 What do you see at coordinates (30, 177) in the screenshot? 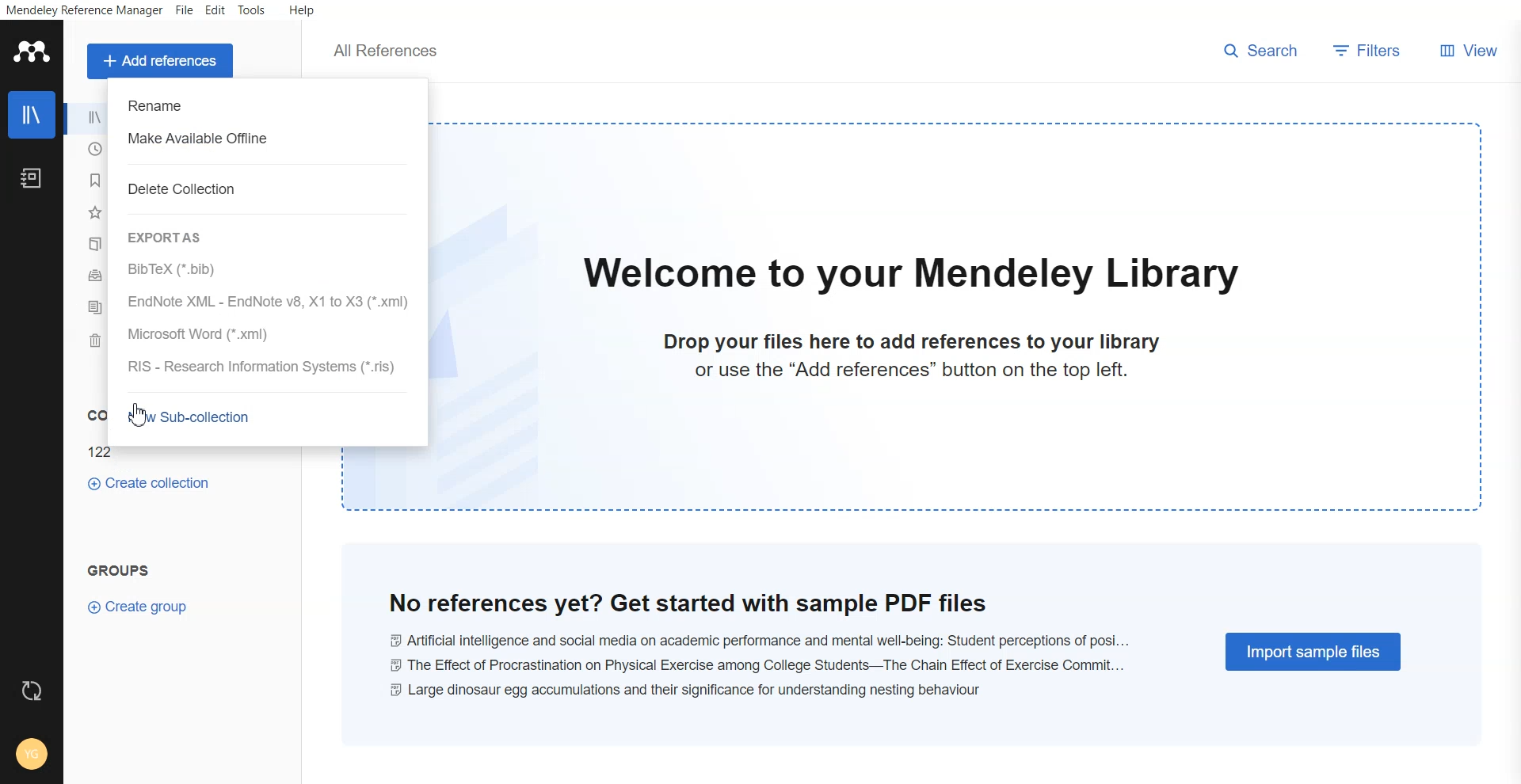
I see `Notebook` at bounding box center [30, 177].